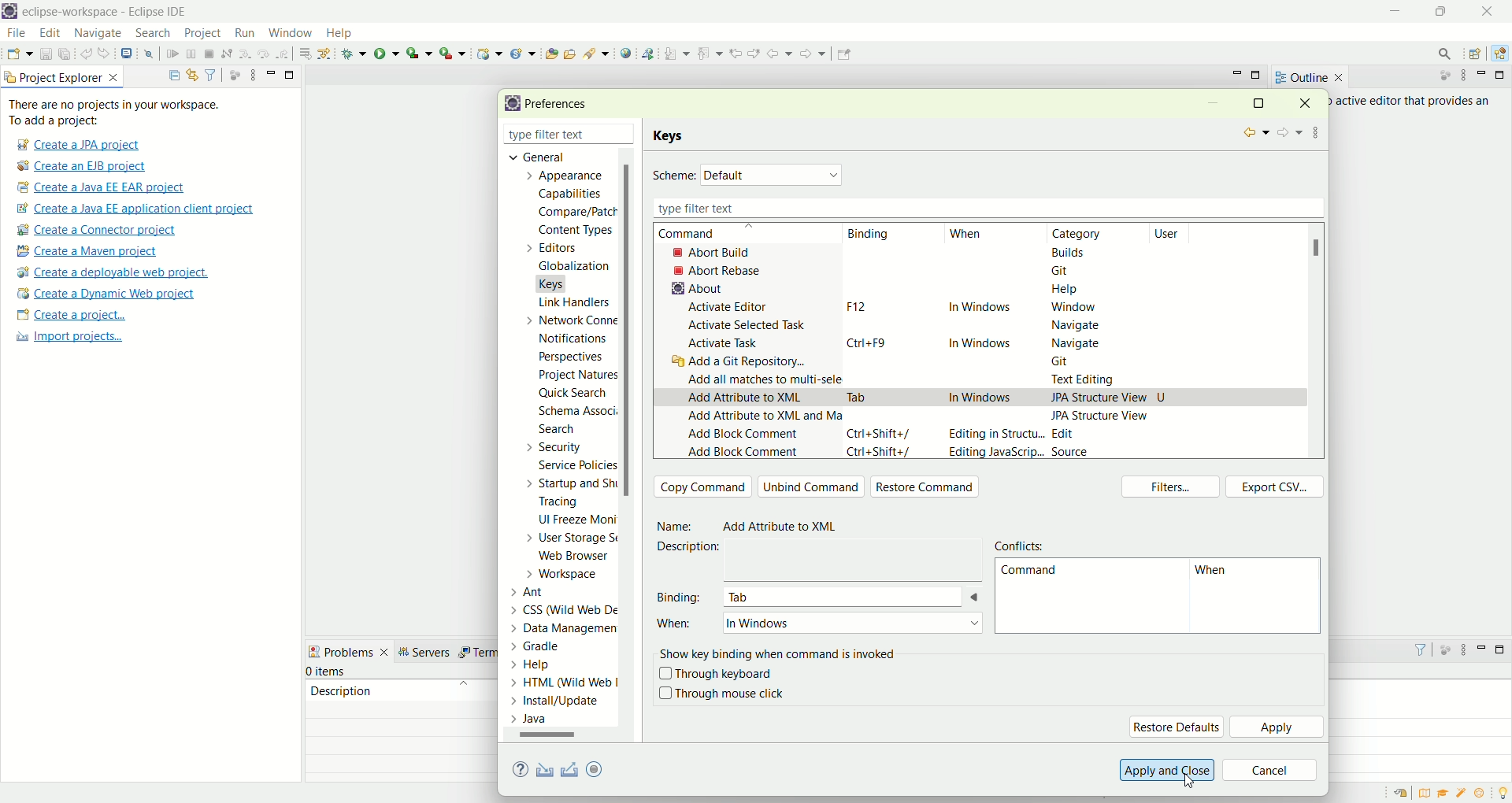  What do you see at coordinates (1023, 544) in the screenshot?
I see `conflict` at bounding box center [1023, 544].